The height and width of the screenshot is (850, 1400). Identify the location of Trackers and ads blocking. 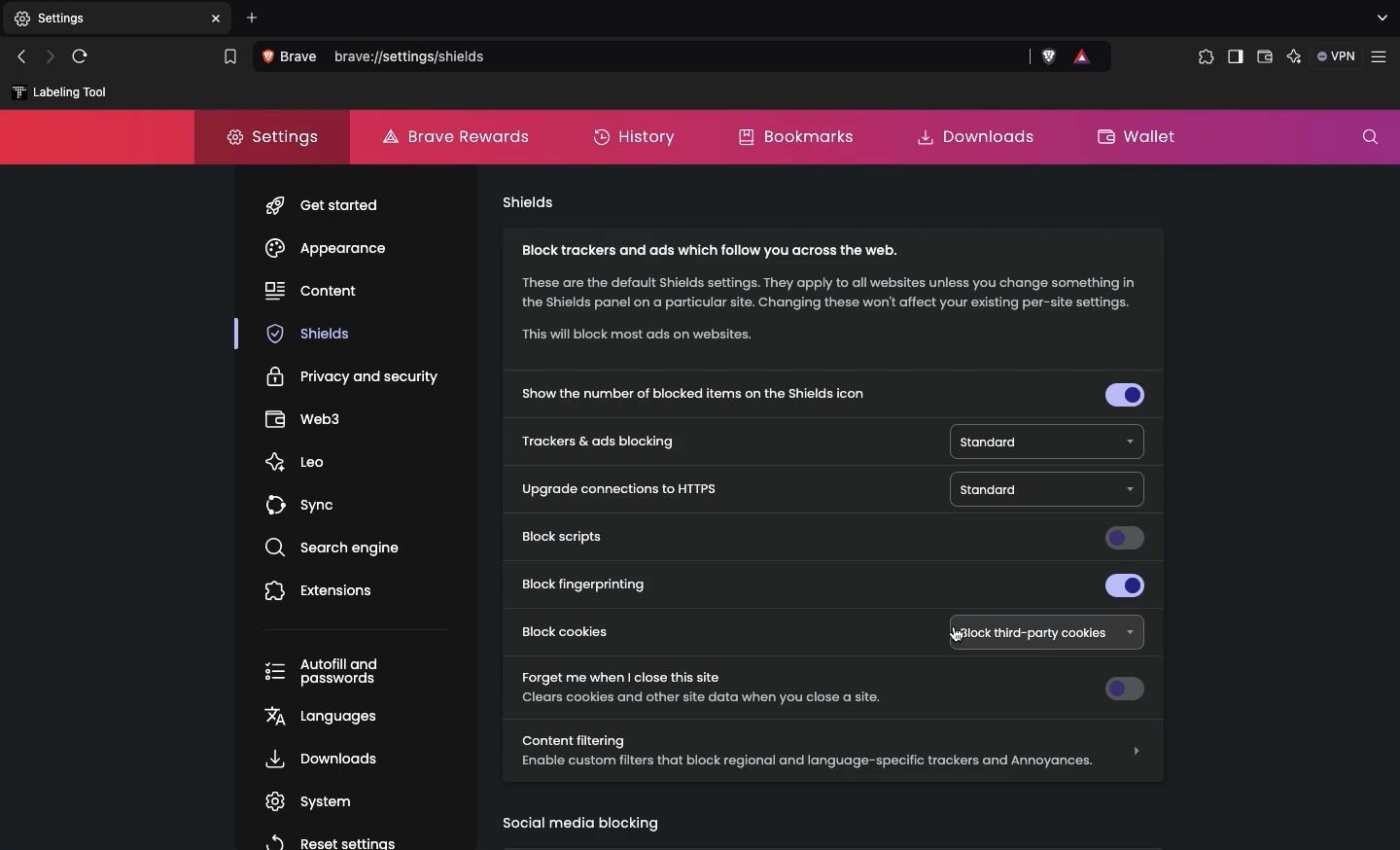
(601, 443).